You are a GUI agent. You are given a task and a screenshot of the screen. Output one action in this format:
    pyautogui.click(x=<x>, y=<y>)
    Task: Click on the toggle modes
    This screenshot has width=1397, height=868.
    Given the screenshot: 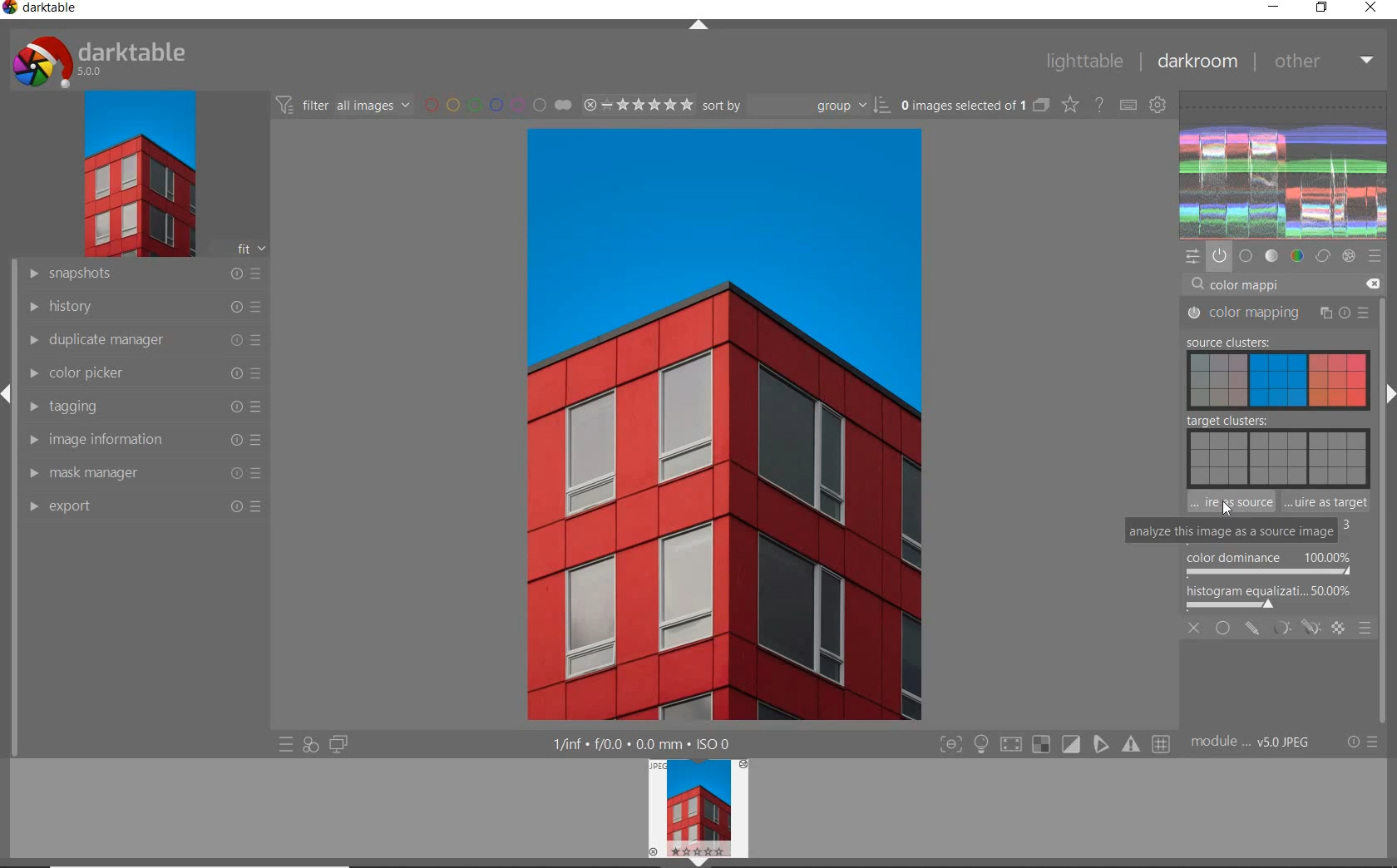 What is the action you would take?
    pyautogui.click(x=1056, y=744)
    